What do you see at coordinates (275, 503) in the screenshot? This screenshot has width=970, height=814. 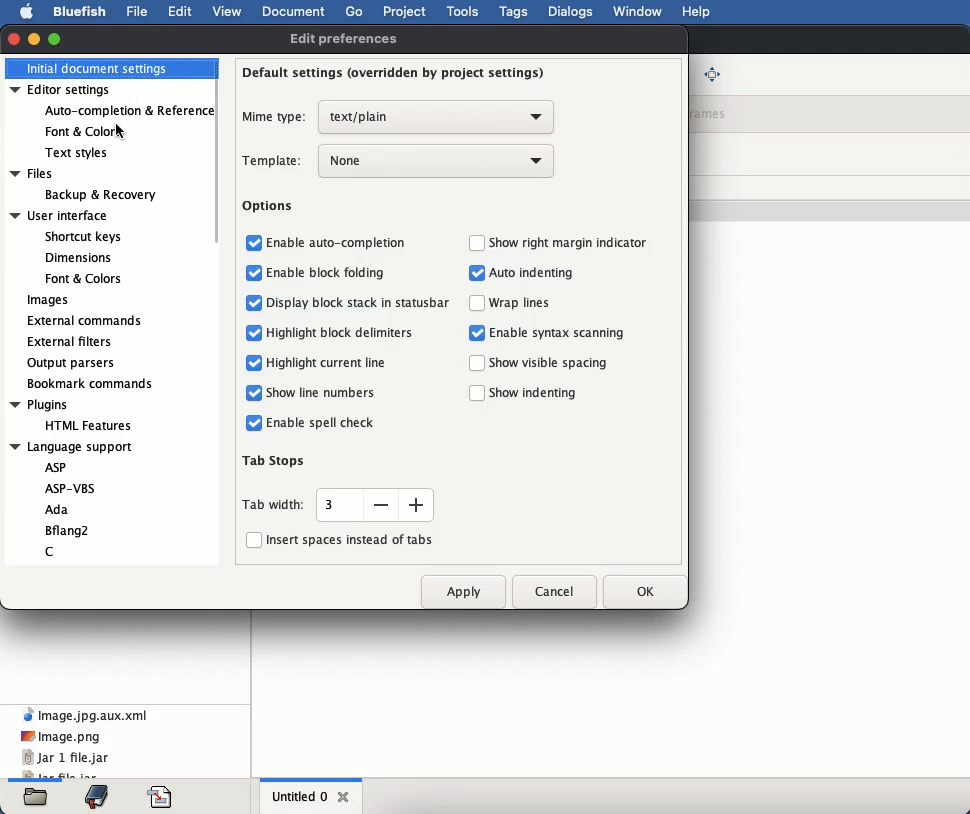 I see `tab width` at bounding box center [275, 503].